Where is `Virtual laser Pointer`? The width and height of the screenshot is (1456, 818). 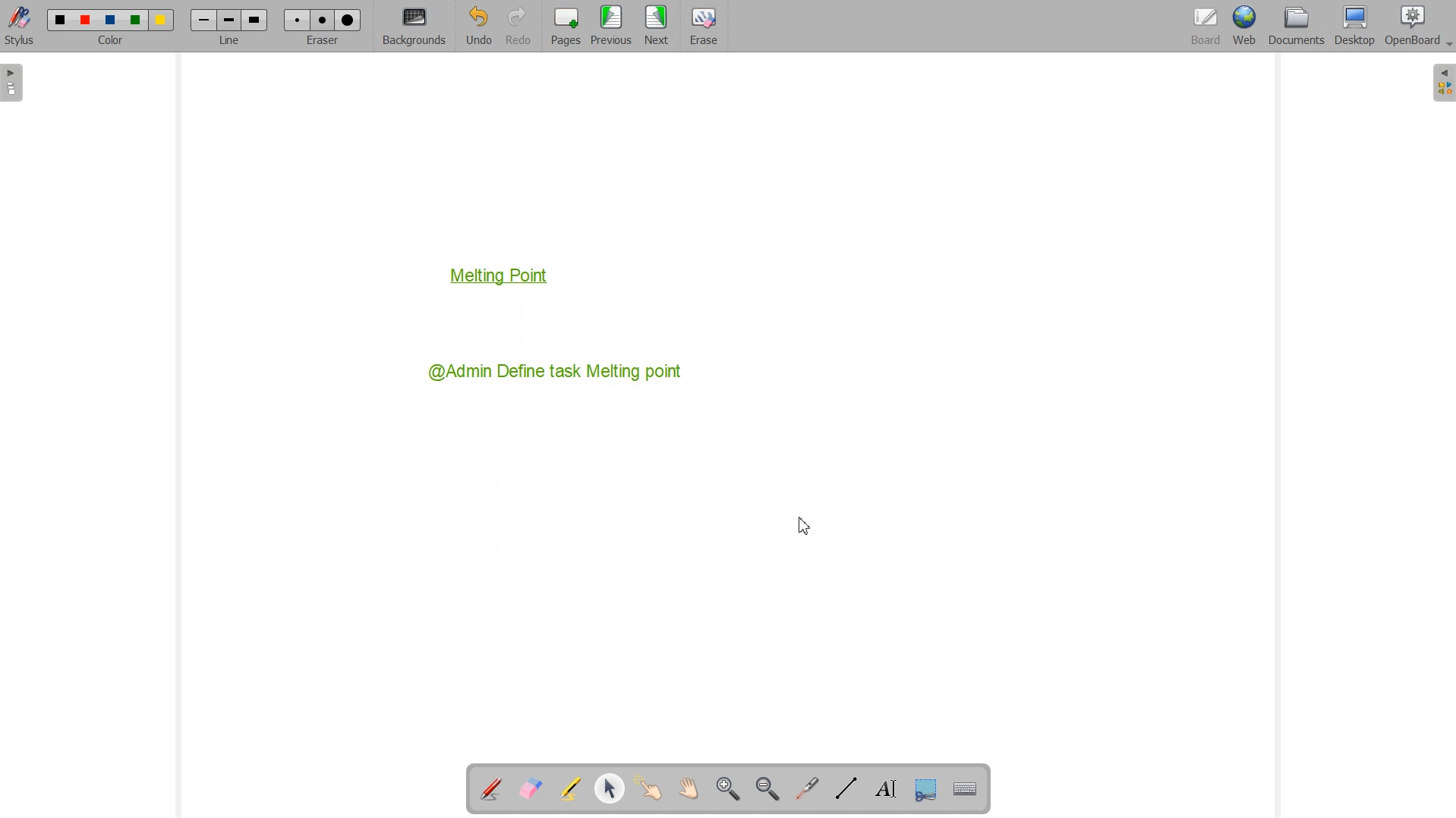
Virtual laser Pointer is located at coordinates (807, 788).